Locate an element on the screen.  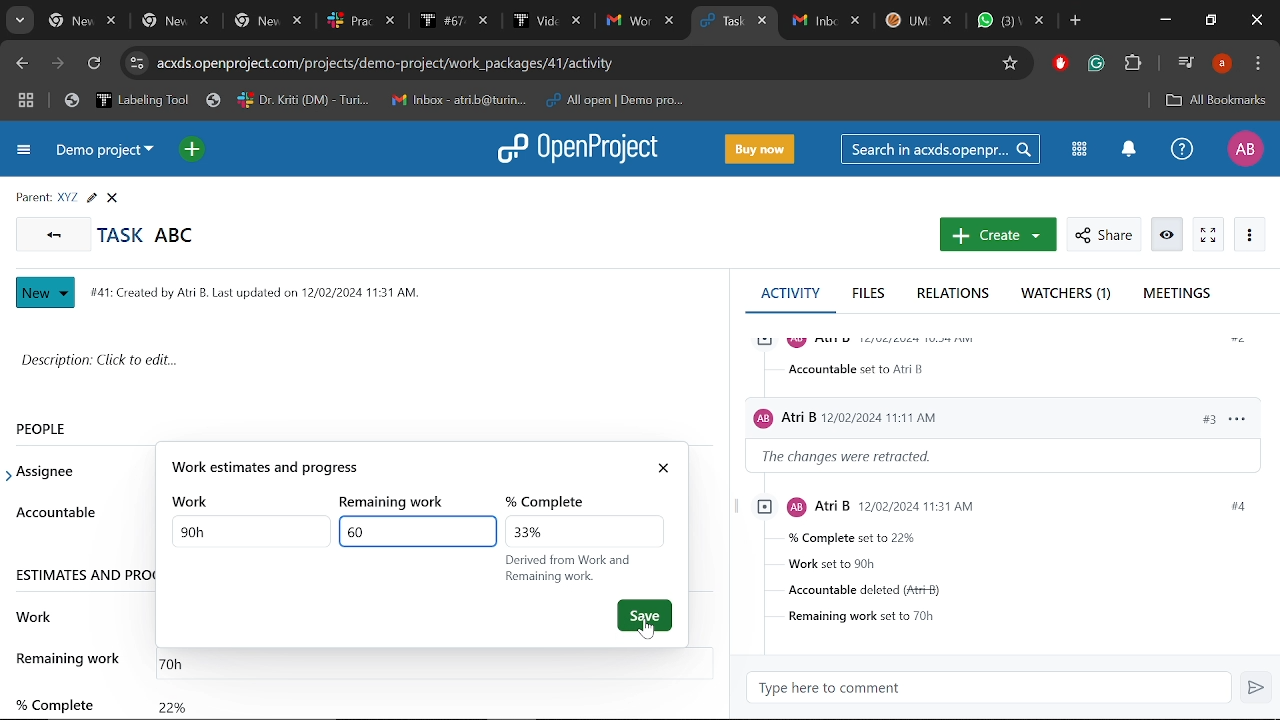
assignee is located at coordinates (51, 472).